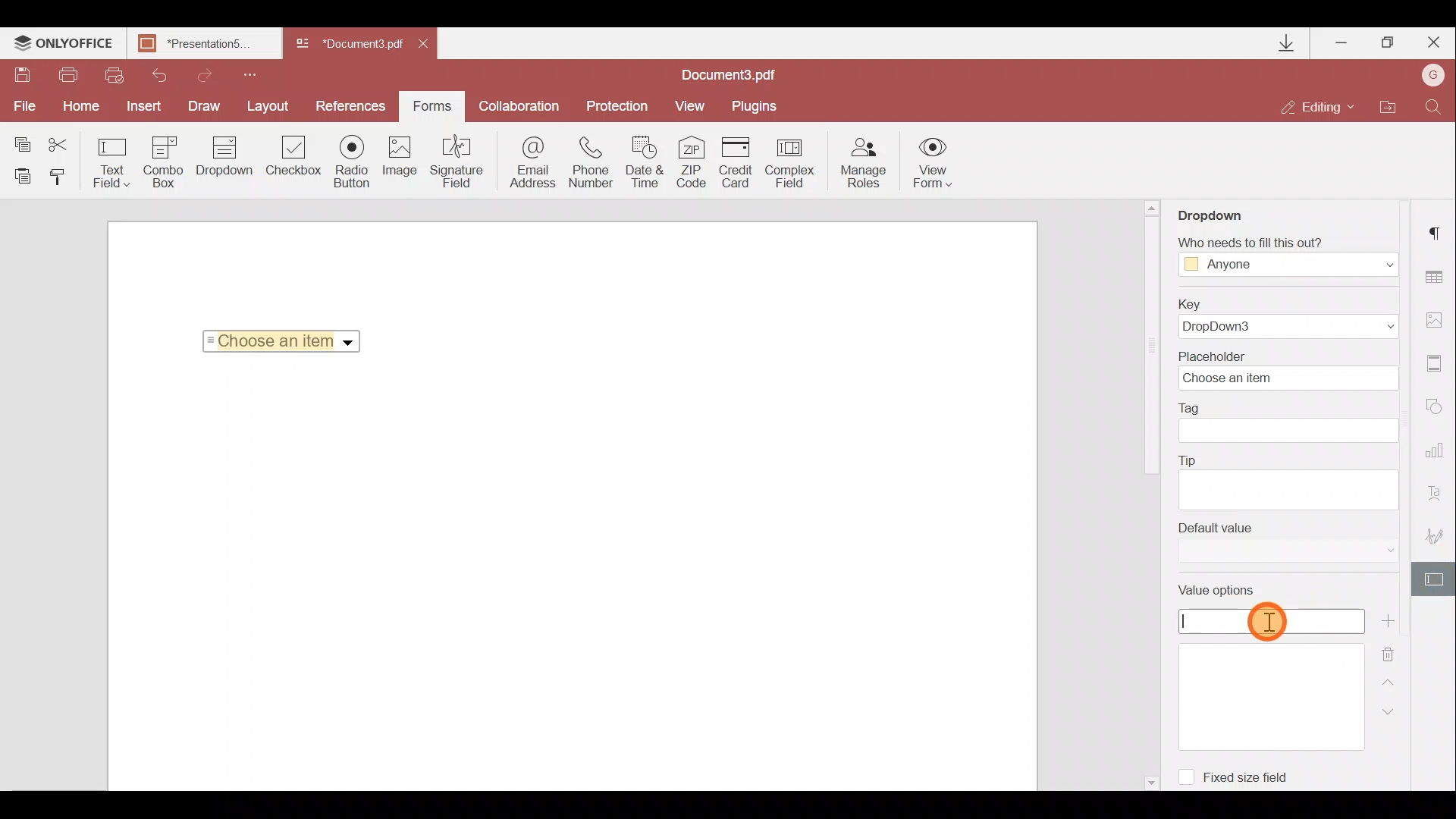 The height and width of the screenshot is (819, 1456). I want to click on Form settings, so click(1434, 578).